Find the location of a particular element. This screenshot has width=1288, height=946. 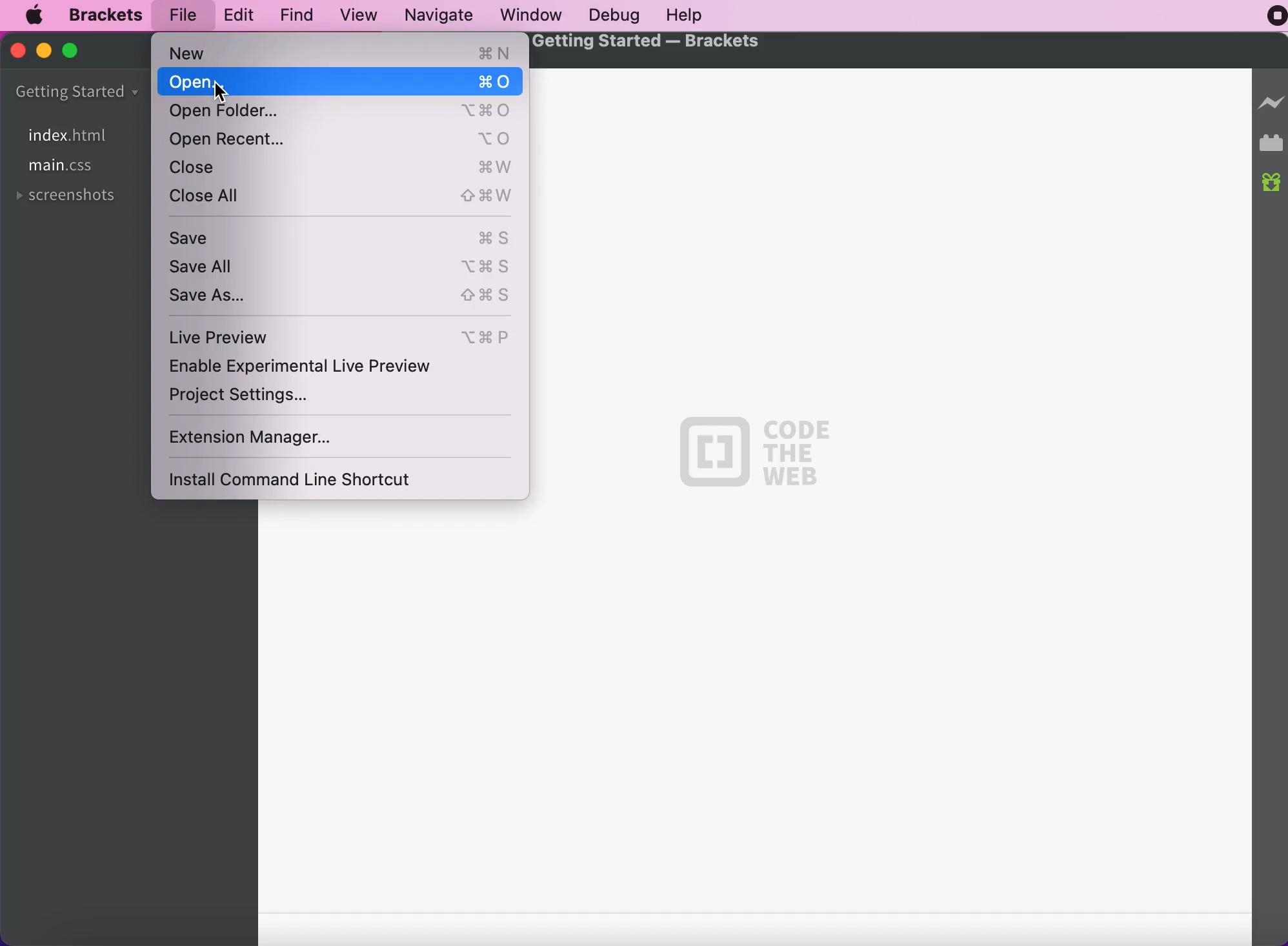

find is located at coordinates (300, 15).